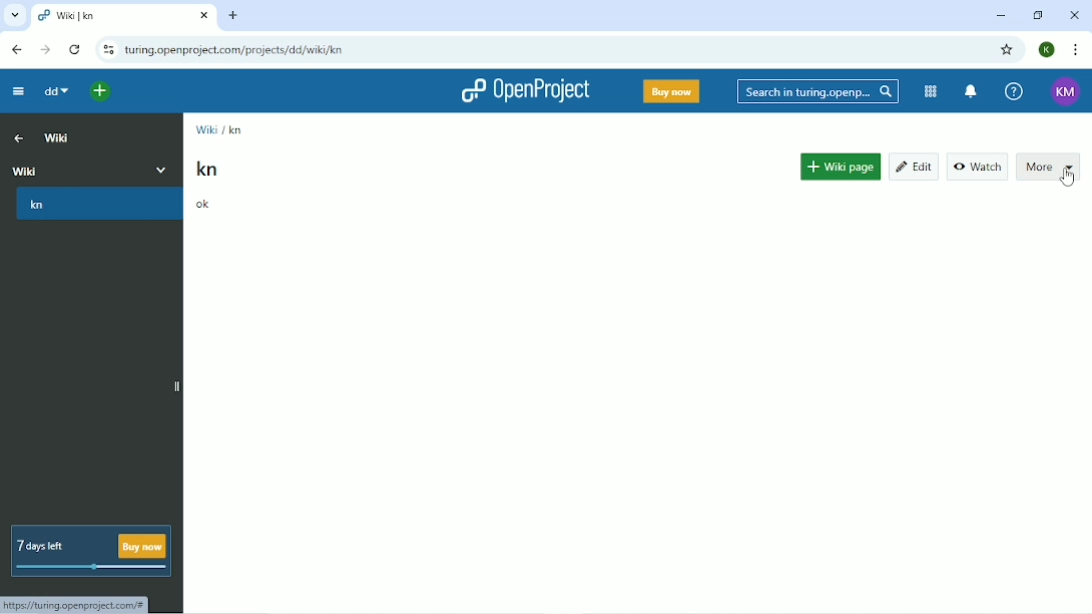 Image resolution: width=1092 pixels, height=614 pixels. What do you see at coordinates (842, 162) in the screenshot?
I see `Wiki page` at bounding box center [842, 162].